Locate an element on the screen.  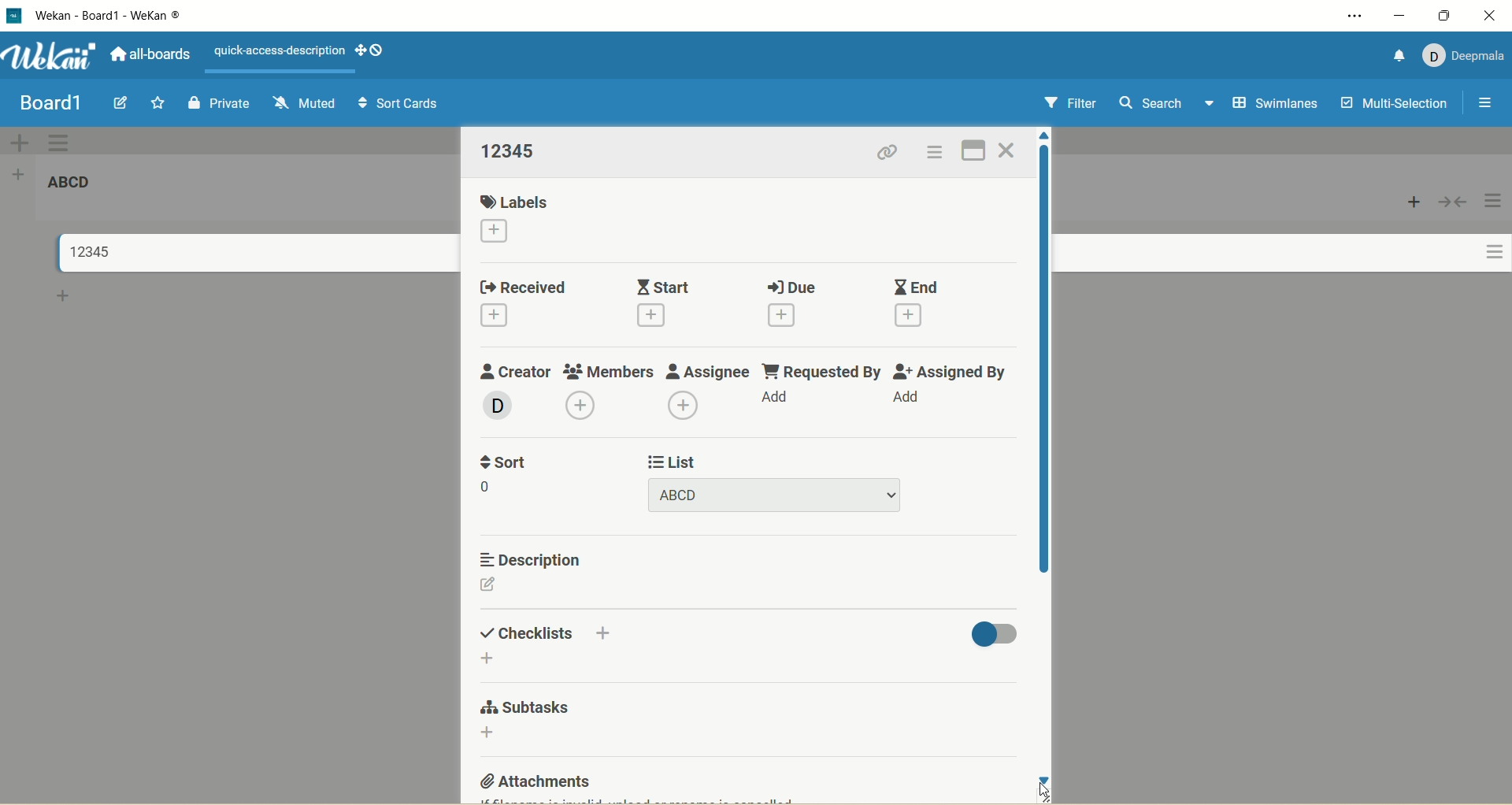
minimize is located at coordinates (1398, 16).